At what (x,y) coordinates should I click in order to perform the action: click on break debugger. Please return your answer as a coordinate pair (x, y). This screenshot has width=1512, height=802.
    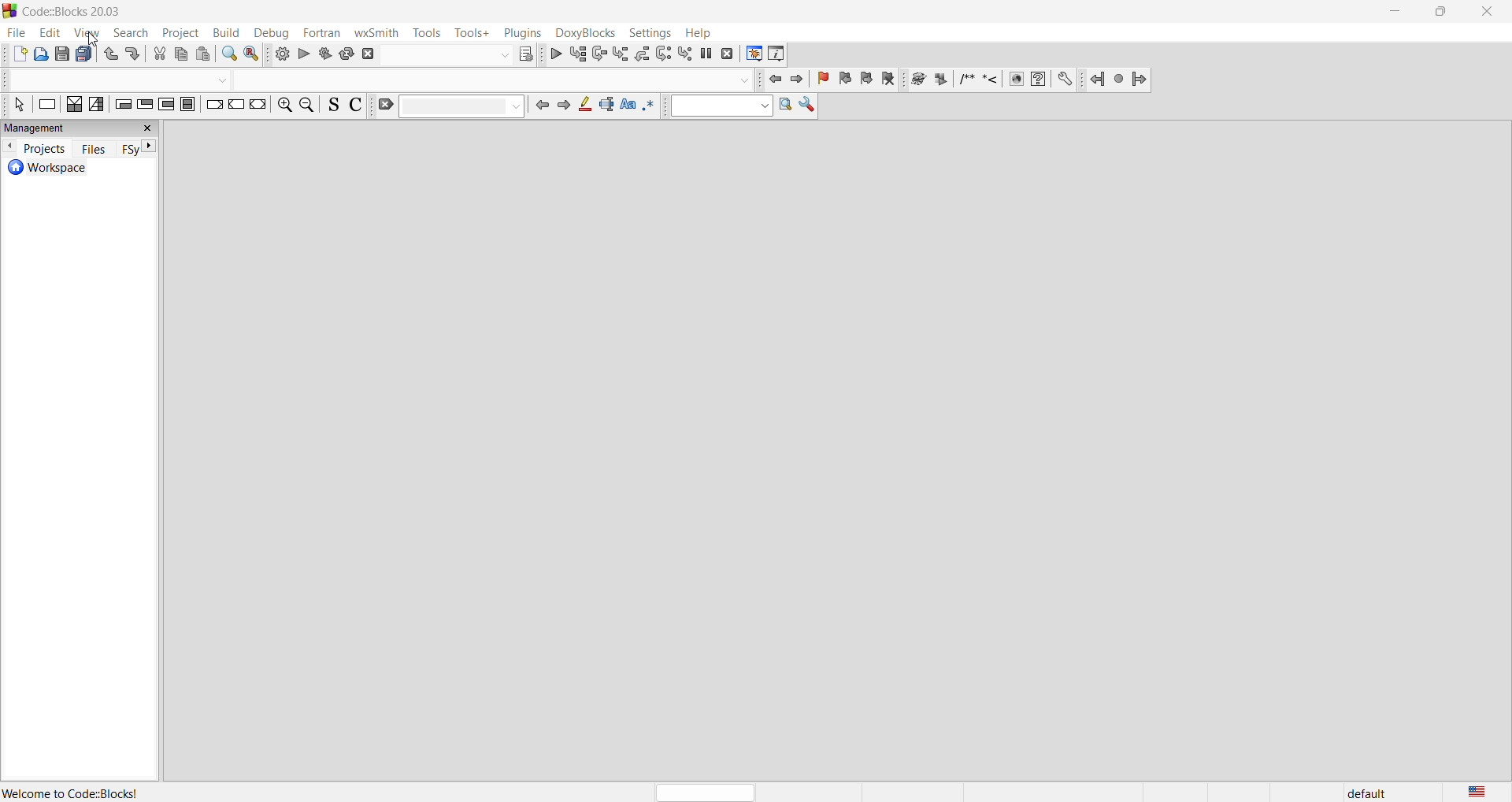
    Looking at the image, I should click on (706, 54).